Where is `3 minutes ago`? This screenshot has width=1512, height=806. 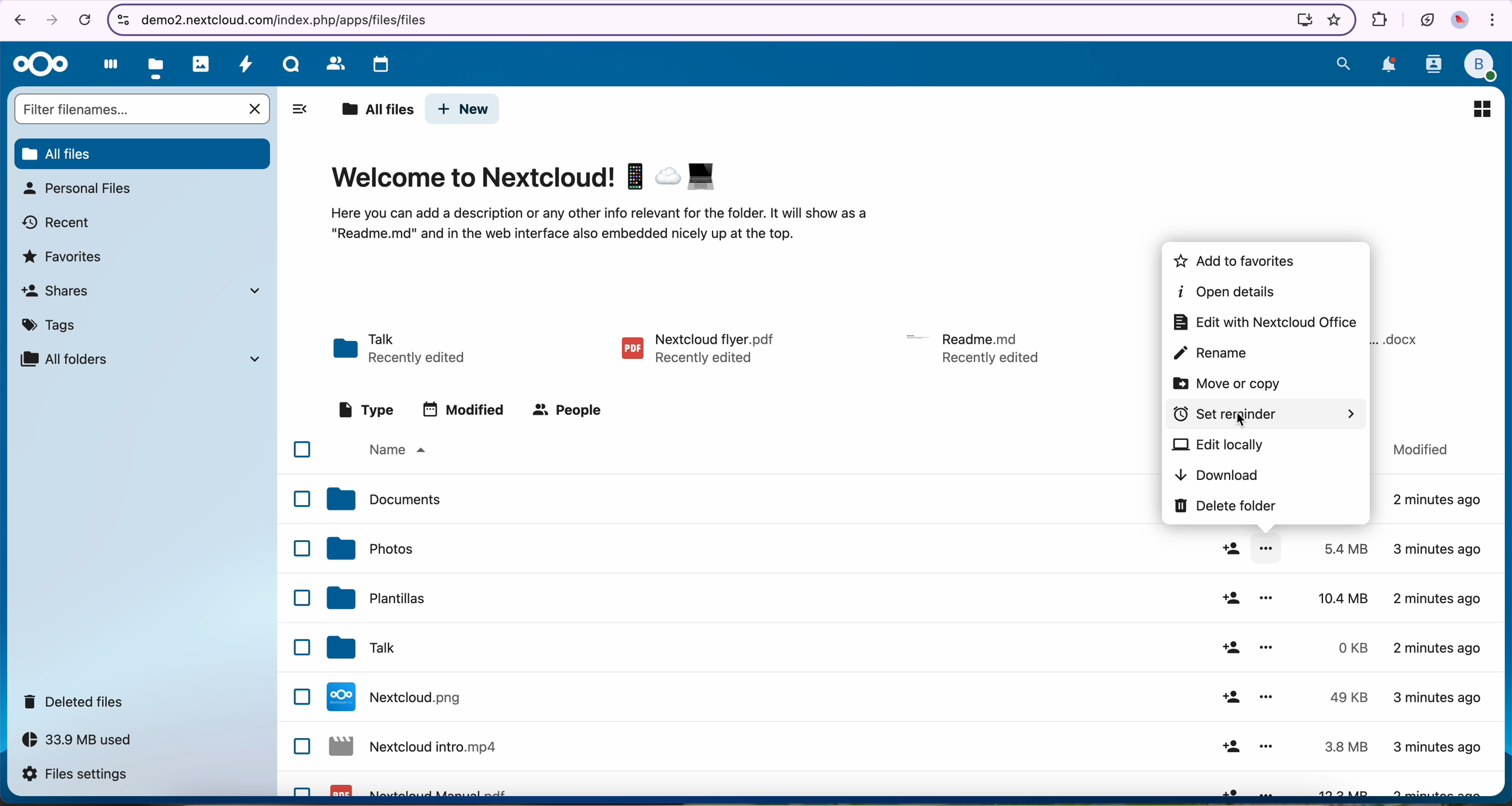
3 minutes ago is located at coordinates (1437, 748).